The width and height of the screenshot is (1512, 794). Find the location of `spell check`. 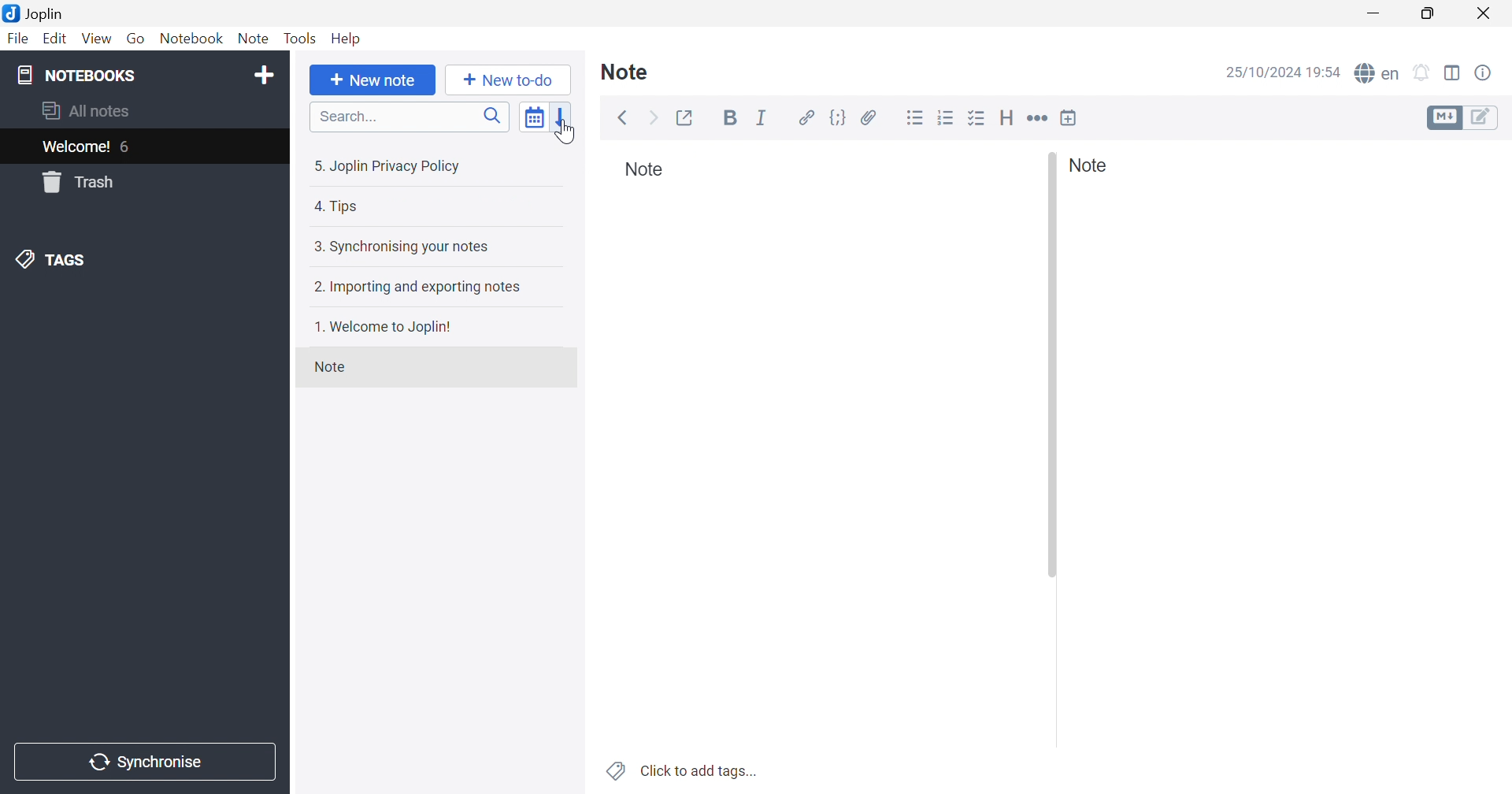

spell check is located at coordinates (1378, 73).